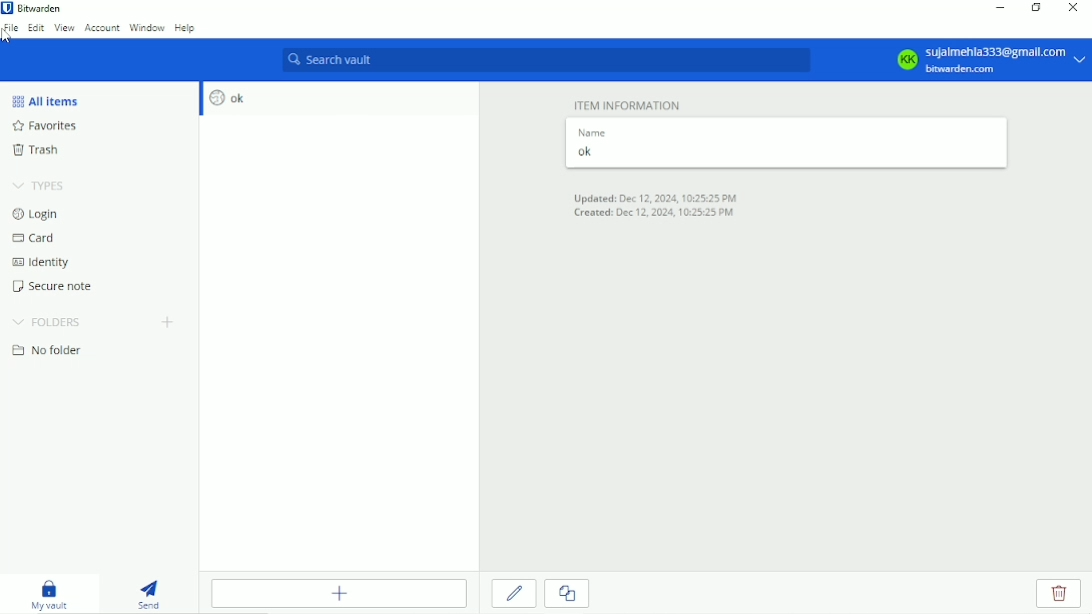 This screenshot has width=1092, height=614. I want to click on Edit, so click(36, 27).